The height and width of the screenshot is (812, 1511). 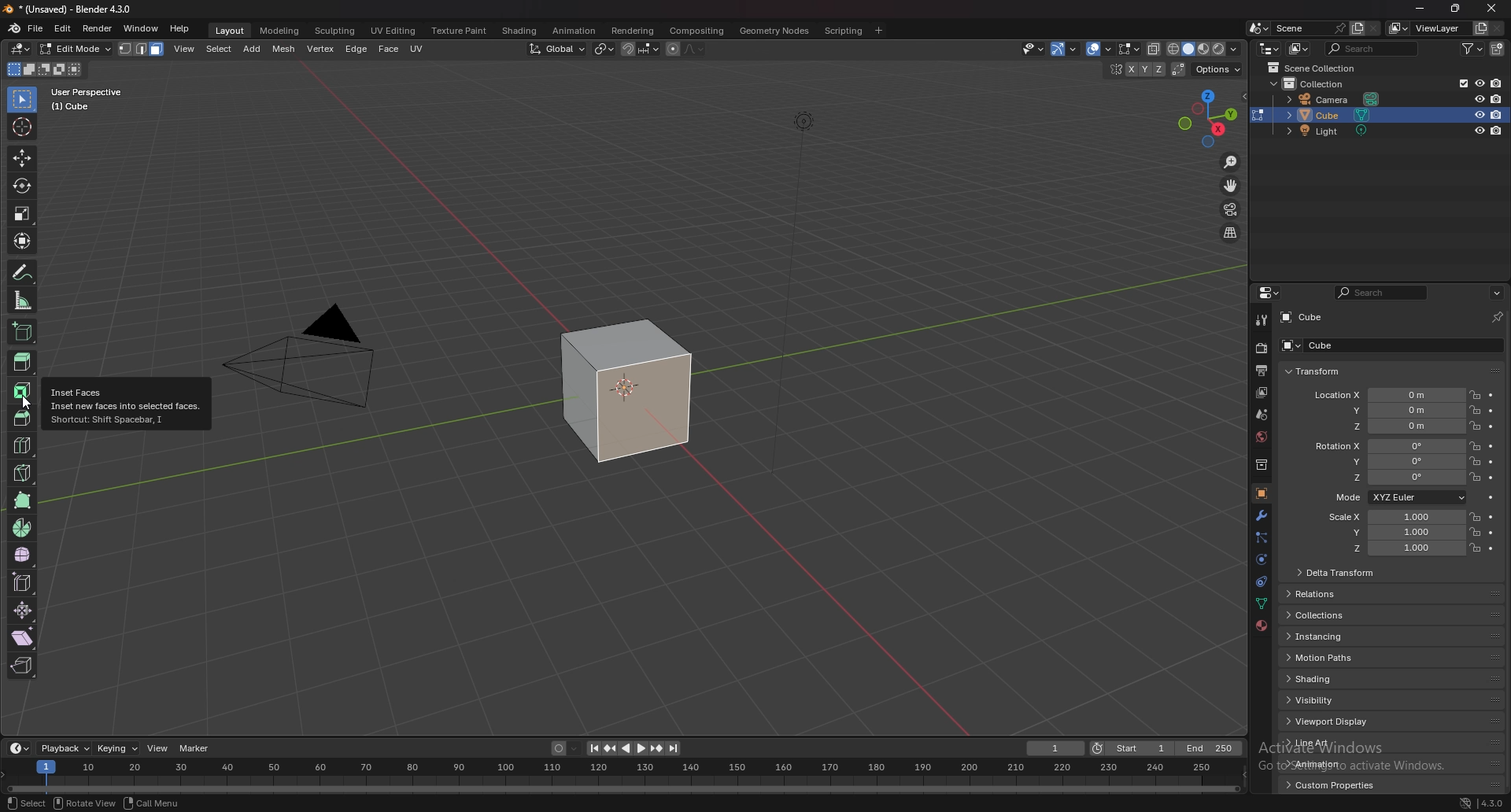 What do you see at coordinates (125, 404) in the screenshot?
I see `tooltip` at bounding box center [125, 404].